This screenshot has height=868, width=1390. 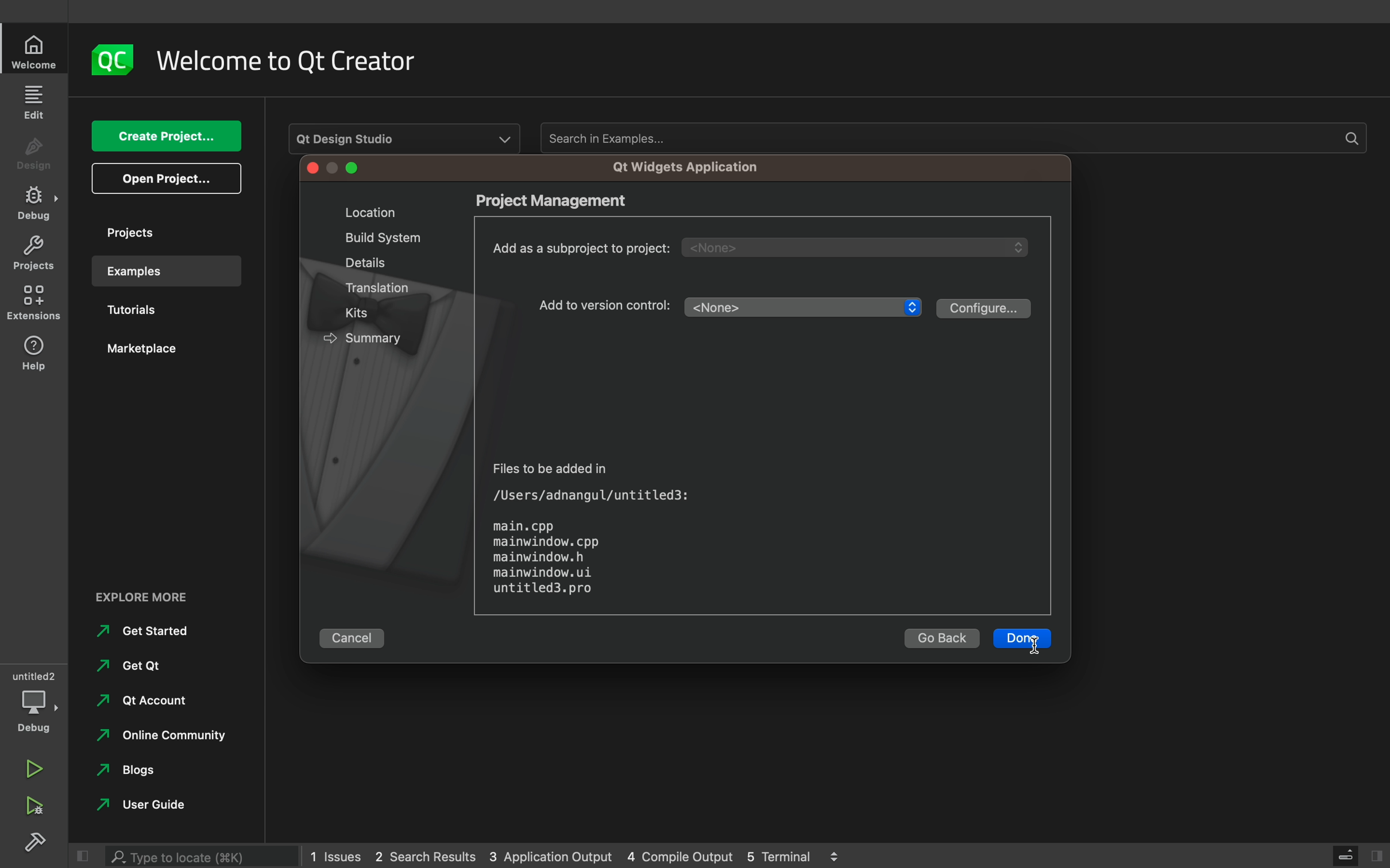 What do you see at coordinates (36, 52) in the screenshot?
I see `home` at bounding box center [36, 52].